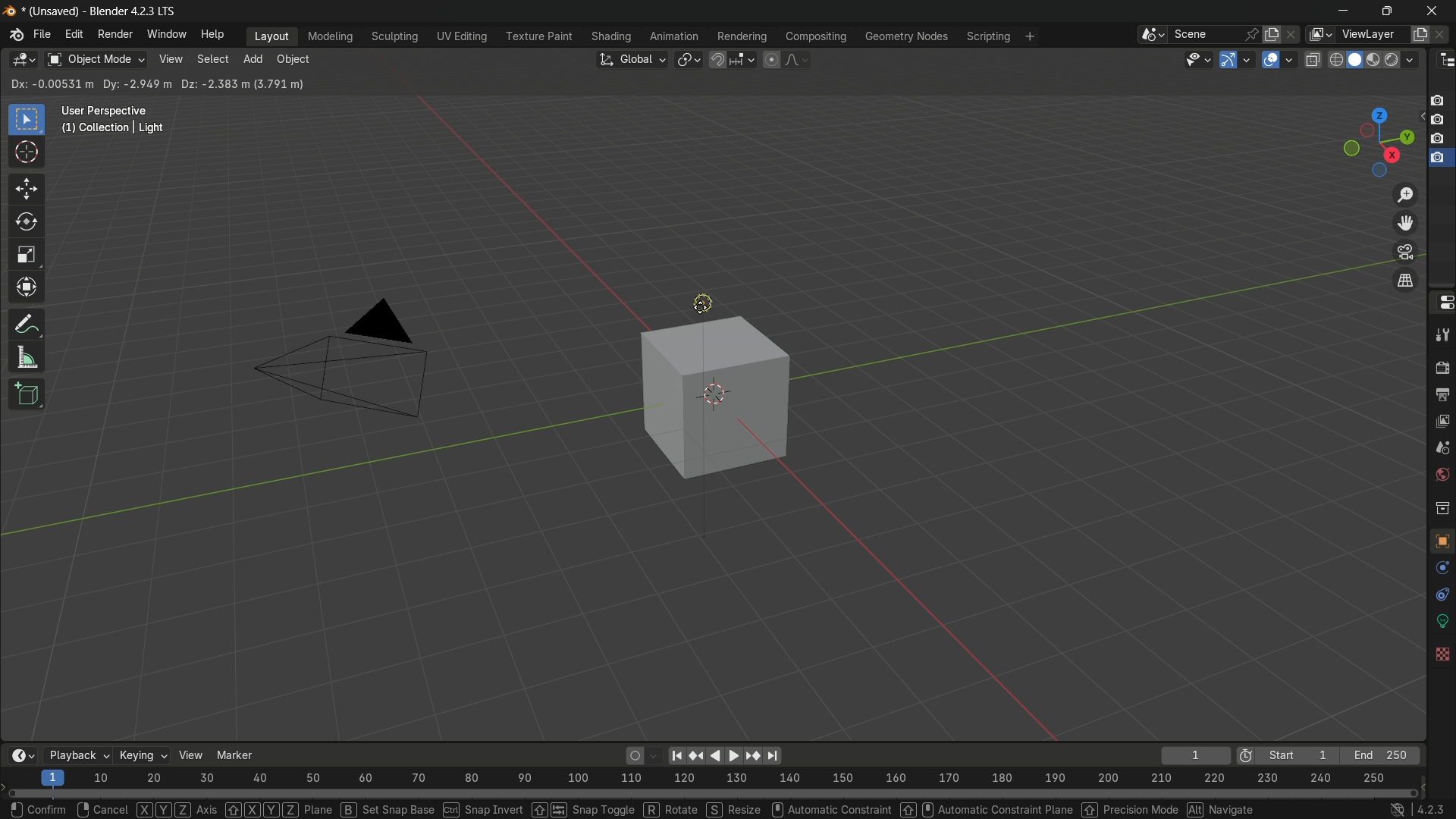 Image resolution: width=1456 pixels, height=819 pixels. I want to click on object mode, so click(96, 60).